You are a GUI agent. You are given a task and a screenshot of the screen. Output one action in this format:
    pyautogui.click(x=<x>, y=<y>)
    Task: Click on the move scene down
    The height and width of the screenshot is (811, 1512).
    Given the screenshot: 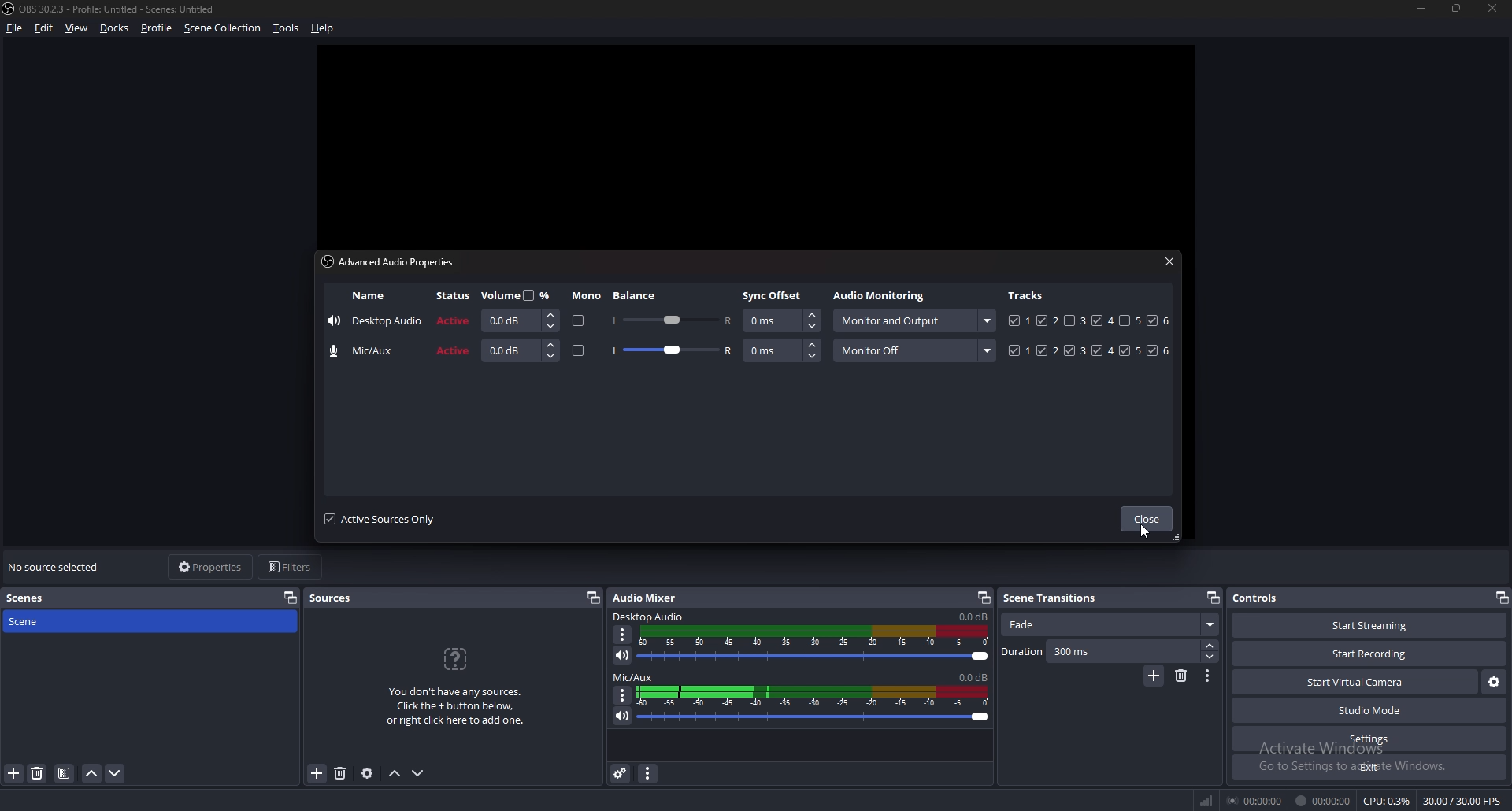 What is the action you would take?
    pyautogui.click(x=115, y=774)
    